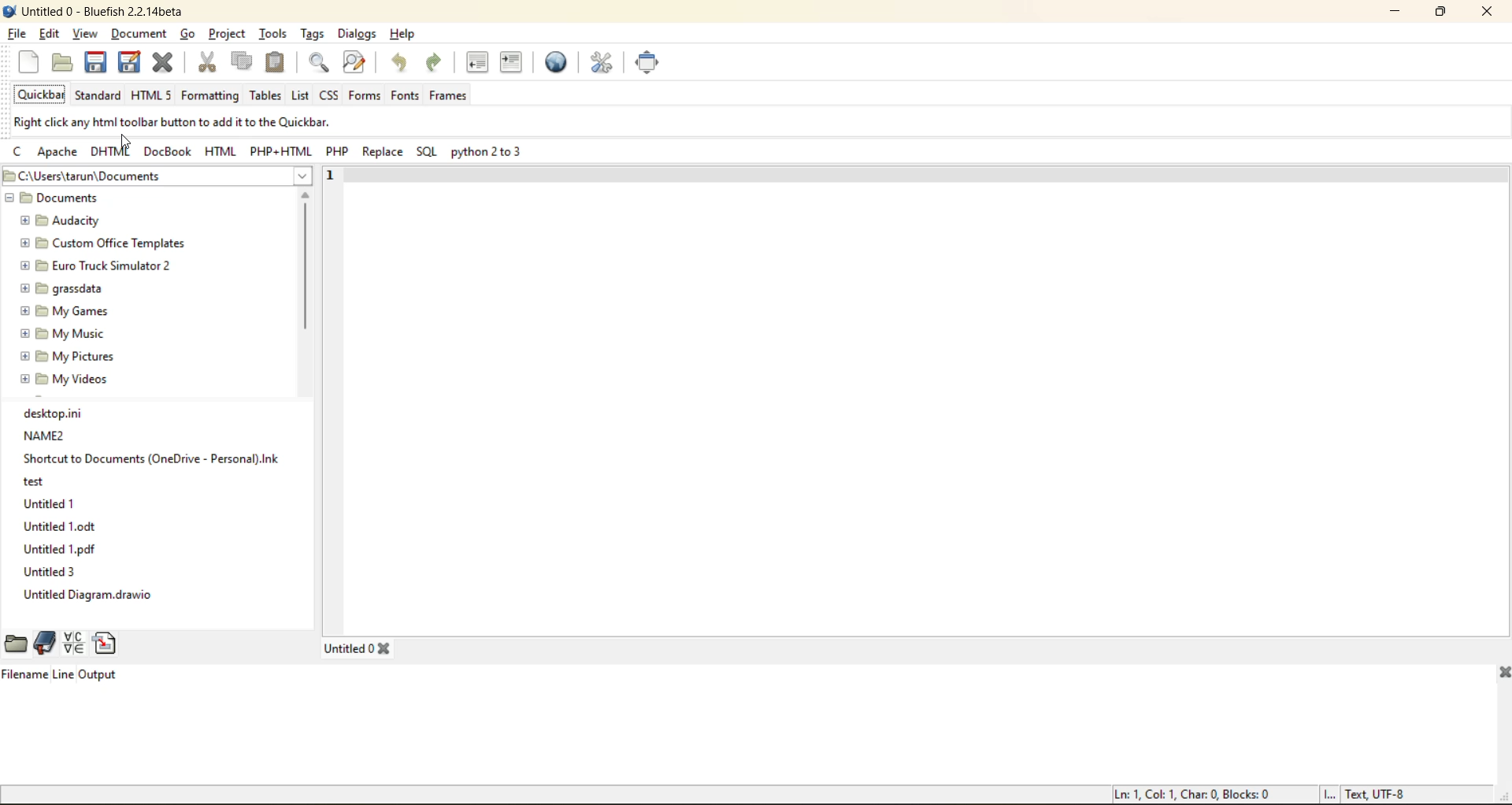  What do you see at coordinates (32, 63) in the screenshot?
I see `new` at bounding box center [32, 63].